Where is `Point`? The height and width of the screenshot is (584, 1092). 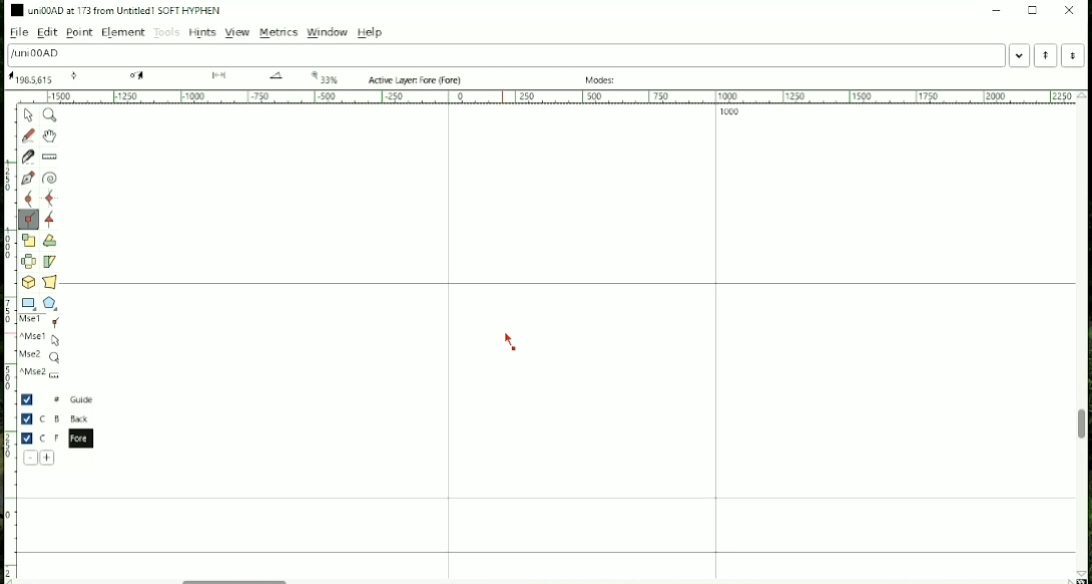 Point is located at coordinates (79, 33).